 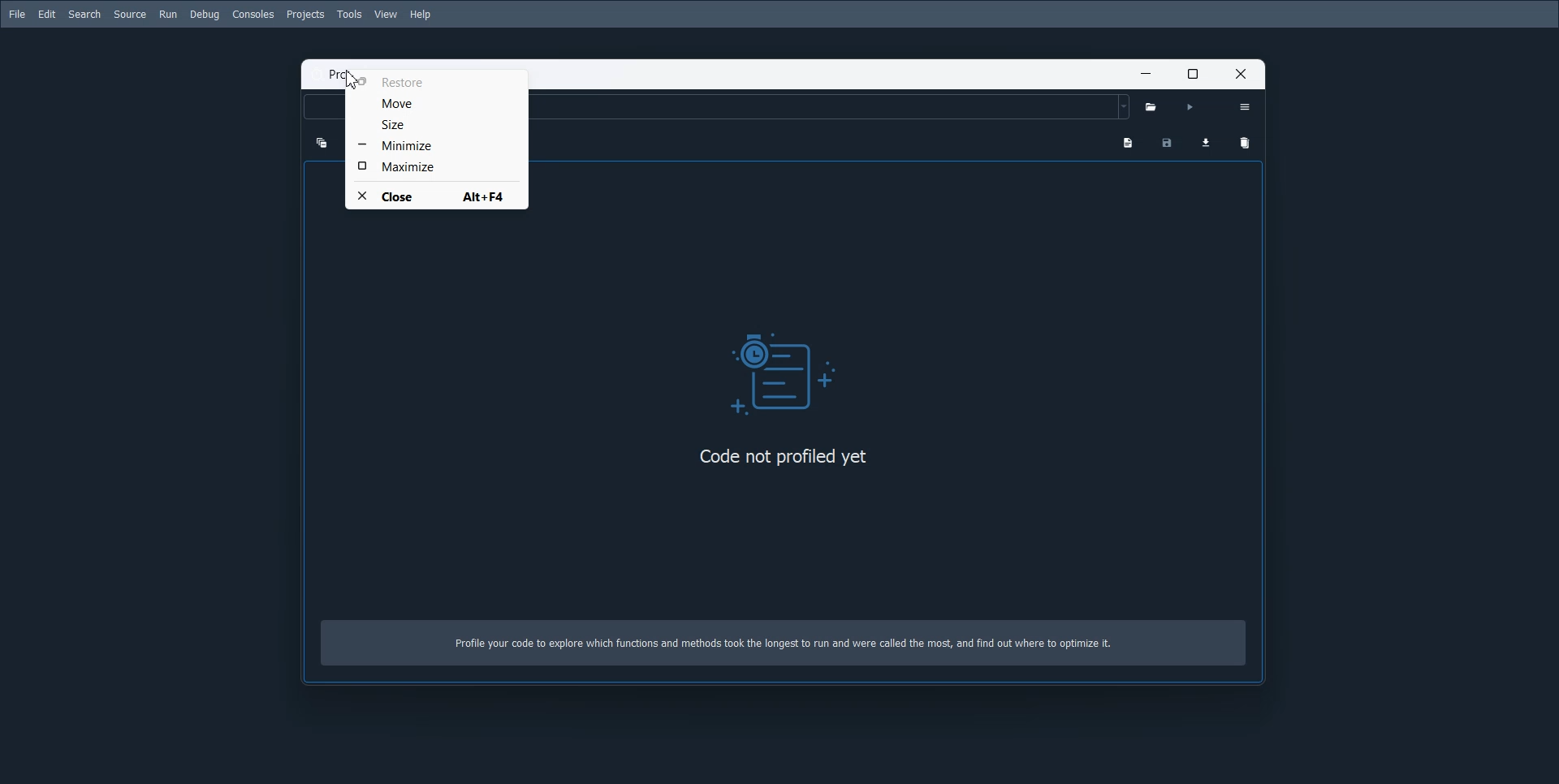 What do you see at coordinates (1195, 73) in the screenshot?
I see `Maximize` at bounding box center [1195, 73].